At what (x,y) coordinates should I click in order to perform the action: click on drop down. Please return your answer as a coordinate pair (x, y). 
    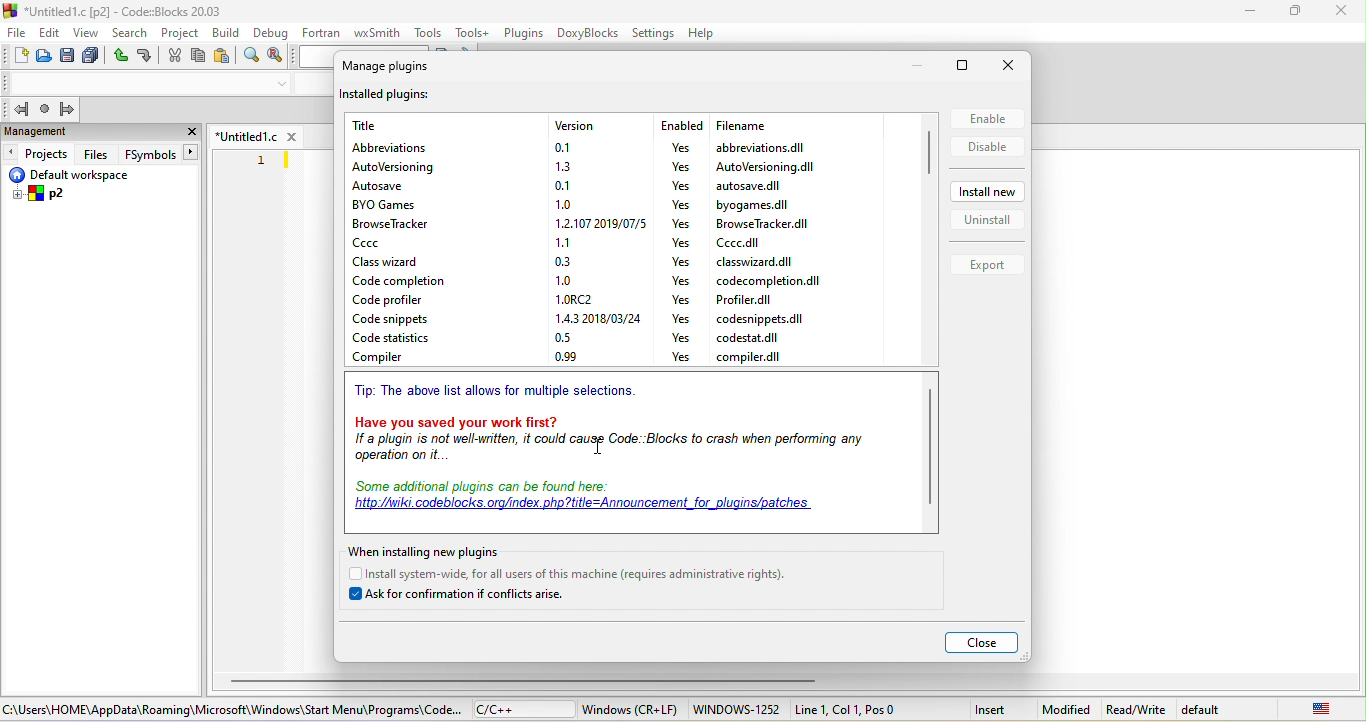
    Looking at the image, I should click on (282, 85).